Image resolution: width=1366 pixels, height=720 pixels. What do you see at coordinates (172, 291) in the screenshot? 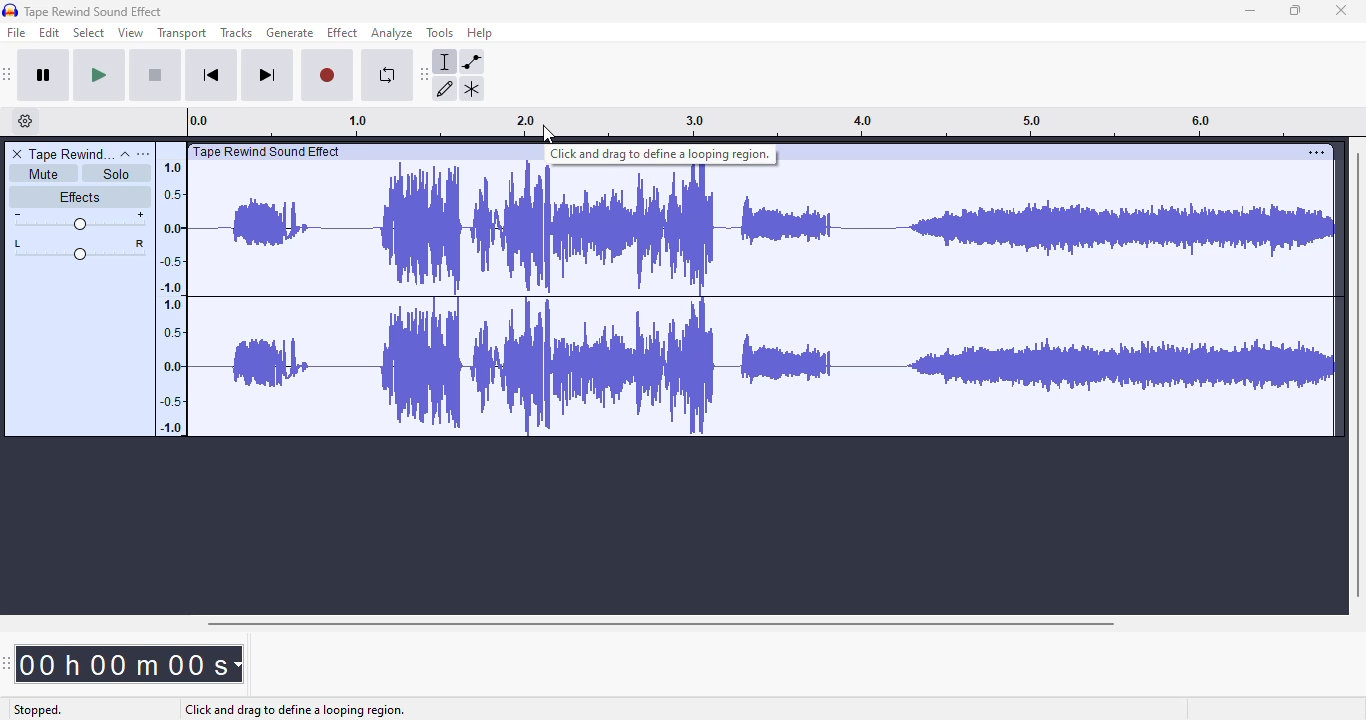
I see `1.0 0.5 0.0 -0.5 -1.0 1.0 0.5 0.0 -0.5 -1.0` at bounding box center [172, 291].